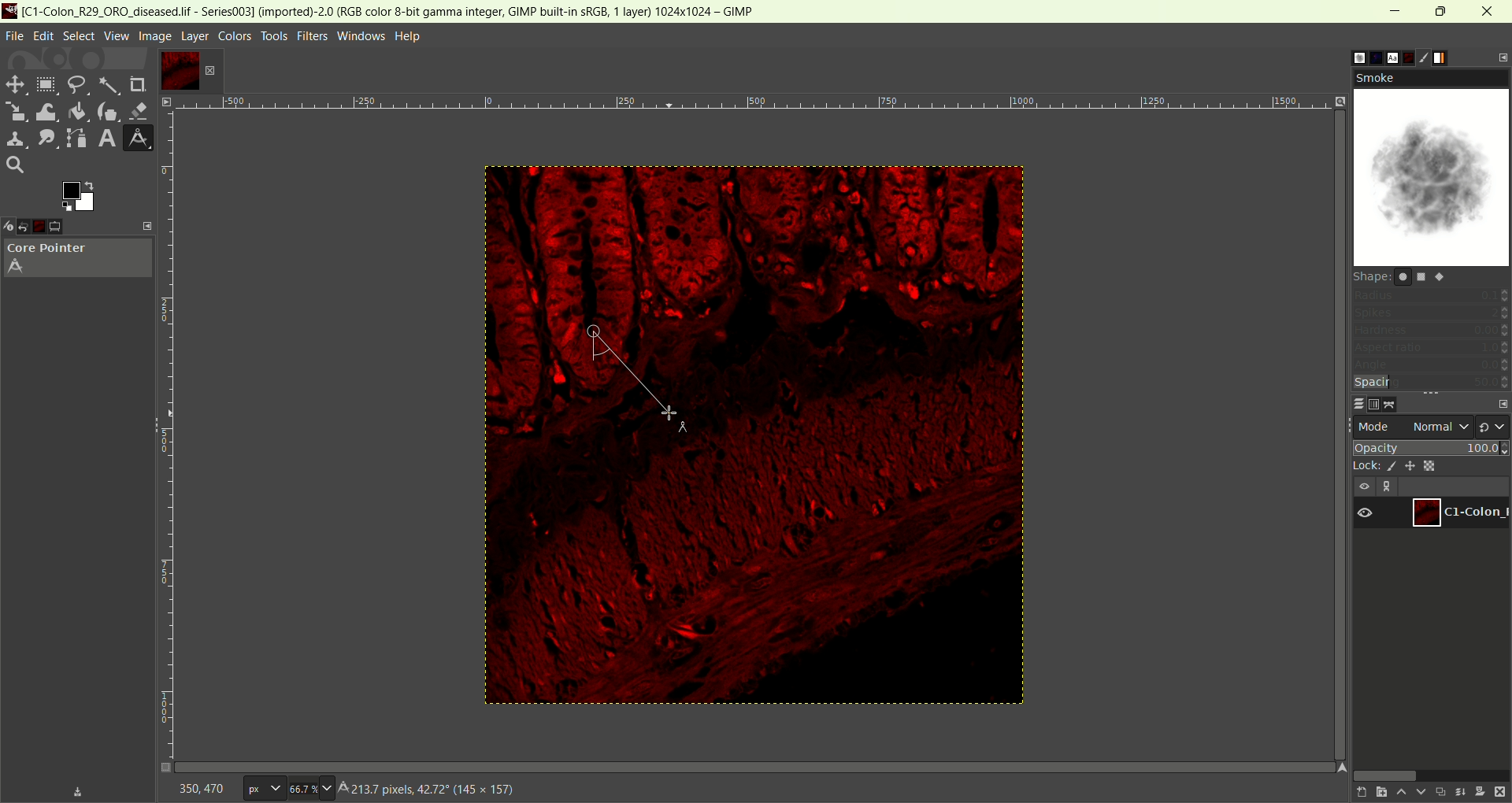  Describe the element at coordinates (68, 227) in the screenshot. I see `tool option` at that location.